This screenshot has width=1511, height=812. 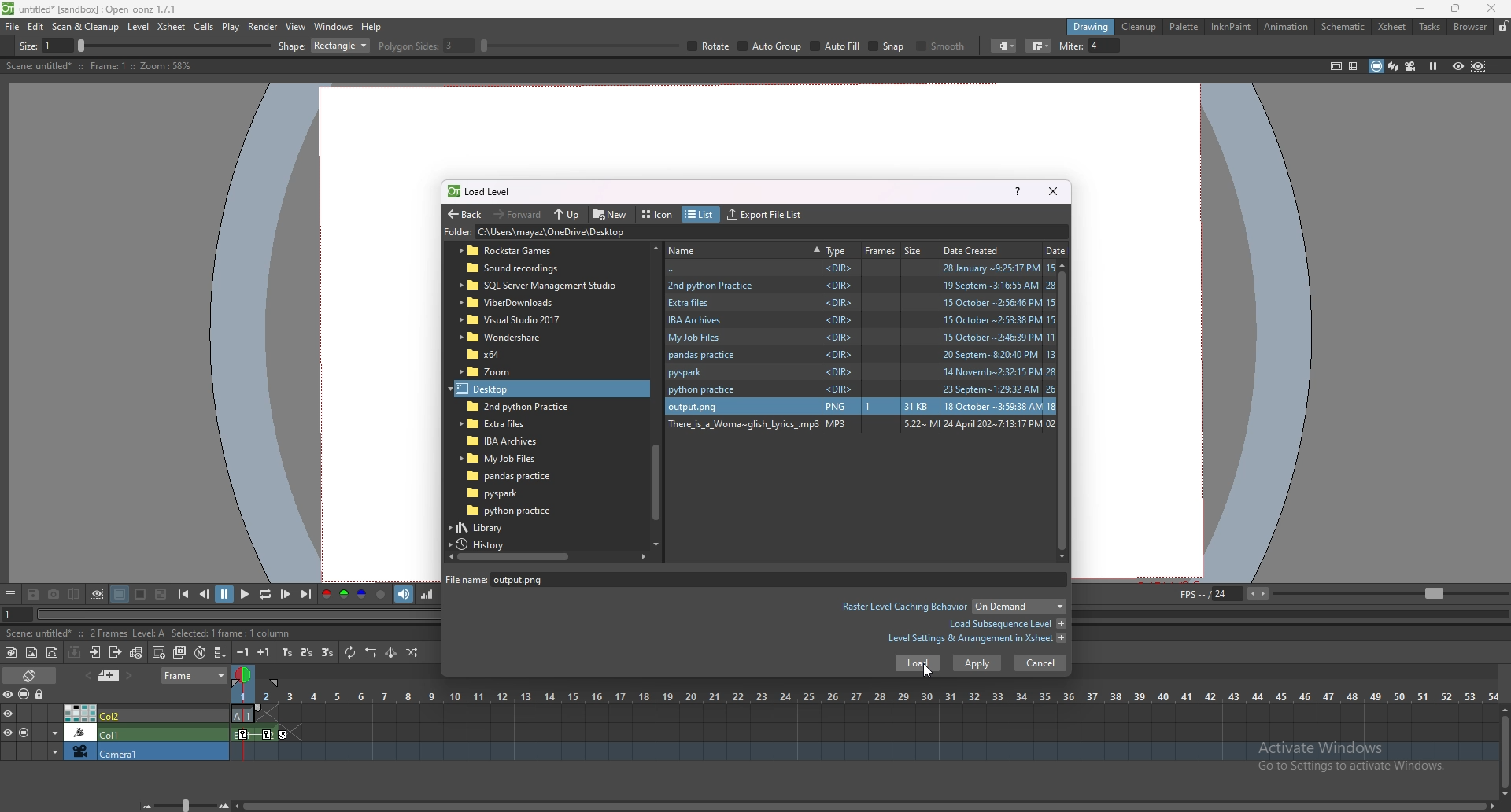 I want to click on zoom, so click(x=182, y=805).